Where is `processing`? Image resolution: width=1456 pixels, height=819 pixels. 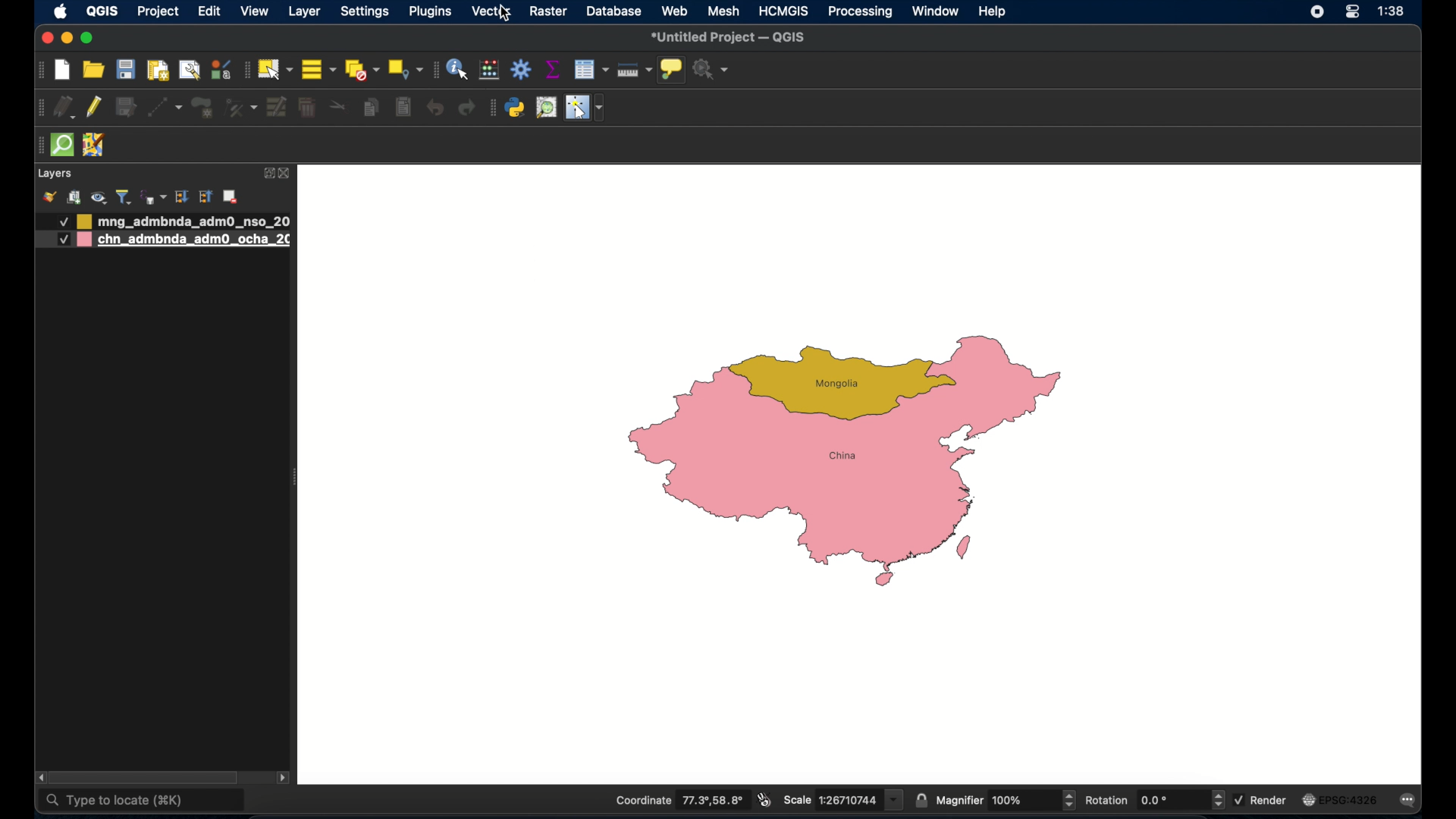
processing is located at coordinates (861, 13).